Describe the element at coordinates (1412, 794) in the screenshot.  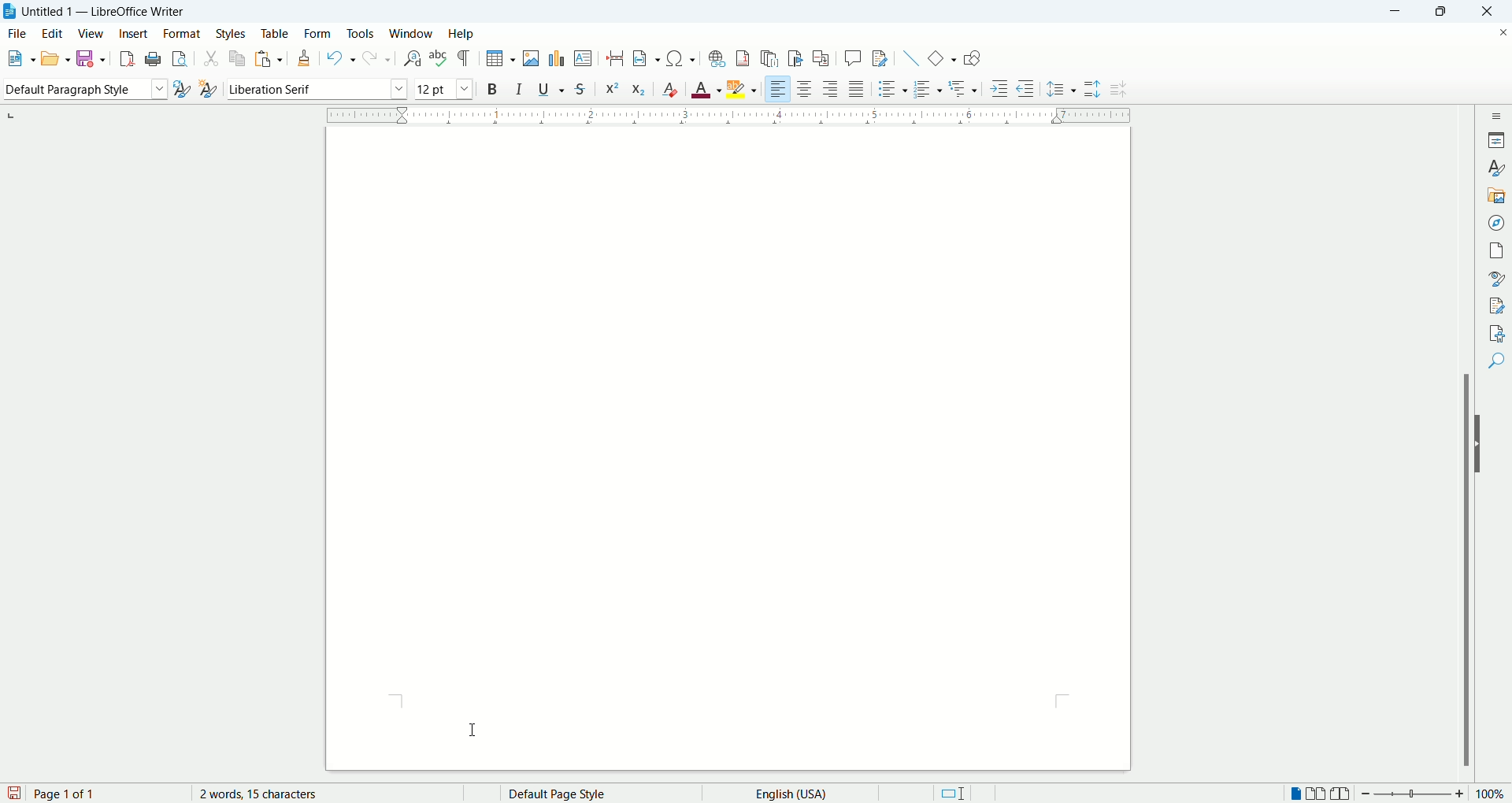
I see `zoom bar` at that location.